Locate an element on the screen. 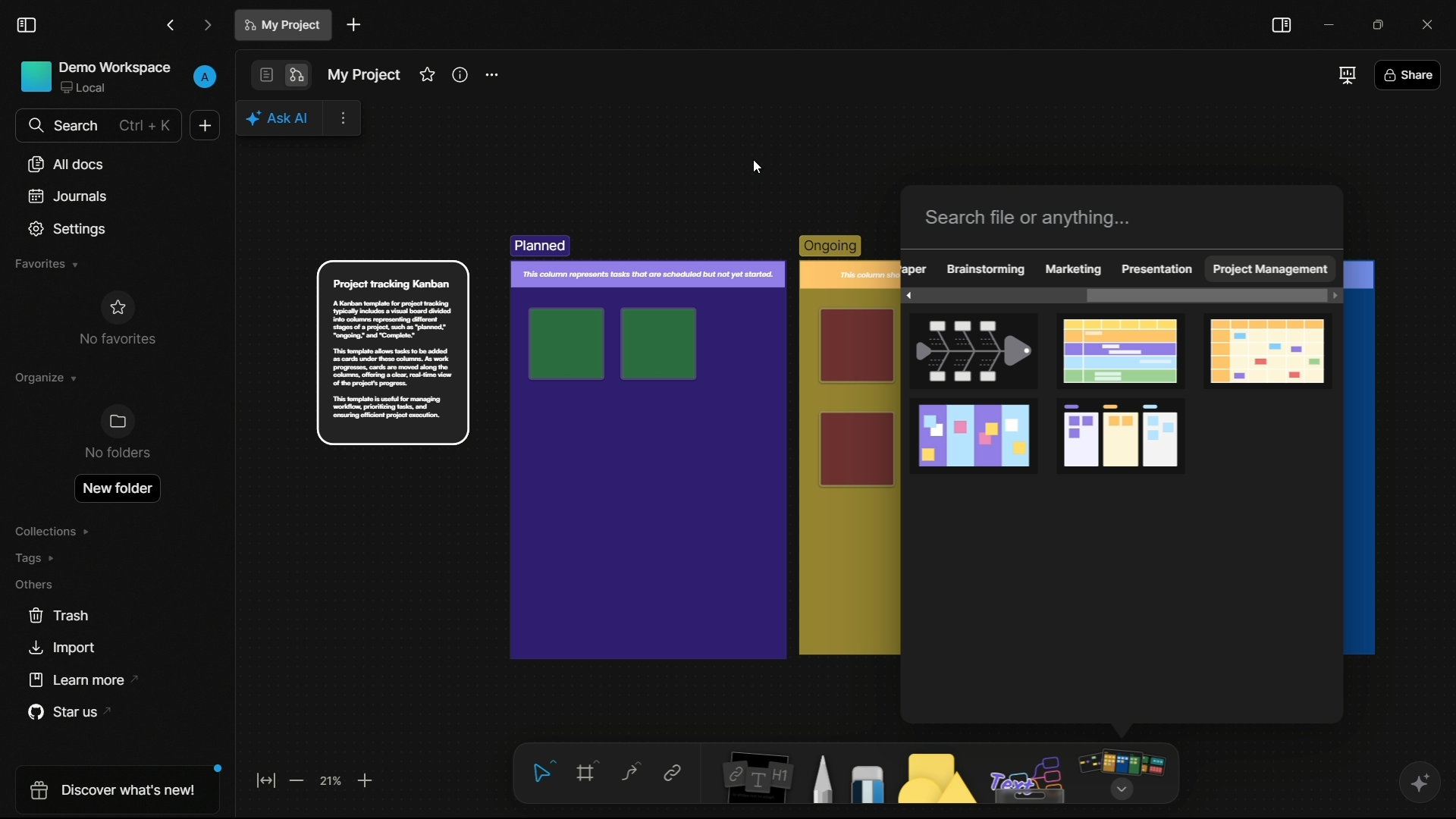 This screenshot has width=1456, height=819. zoom out is located at coordinates (295, 780).